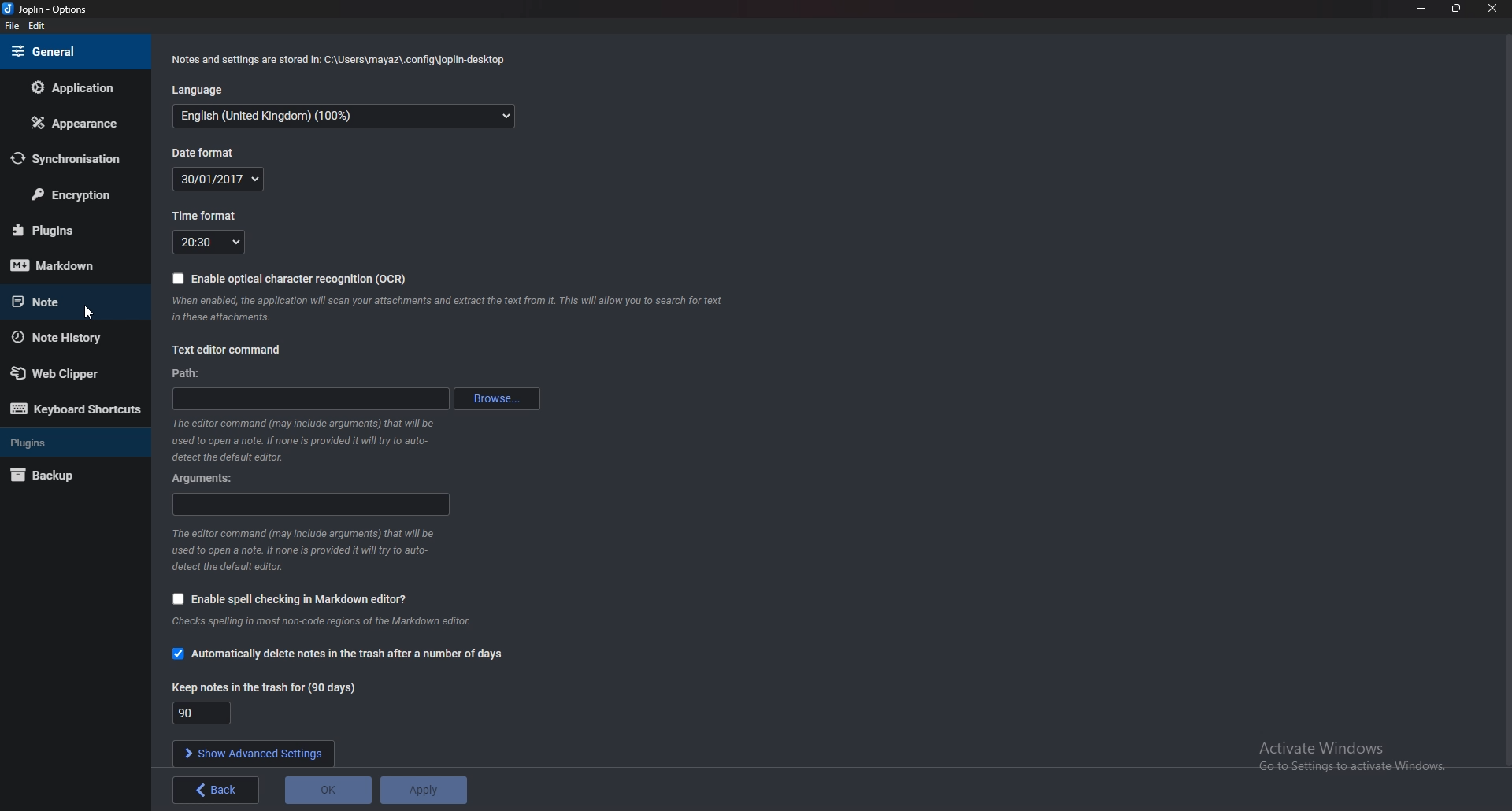  I want to click on path, so click(192, 372).